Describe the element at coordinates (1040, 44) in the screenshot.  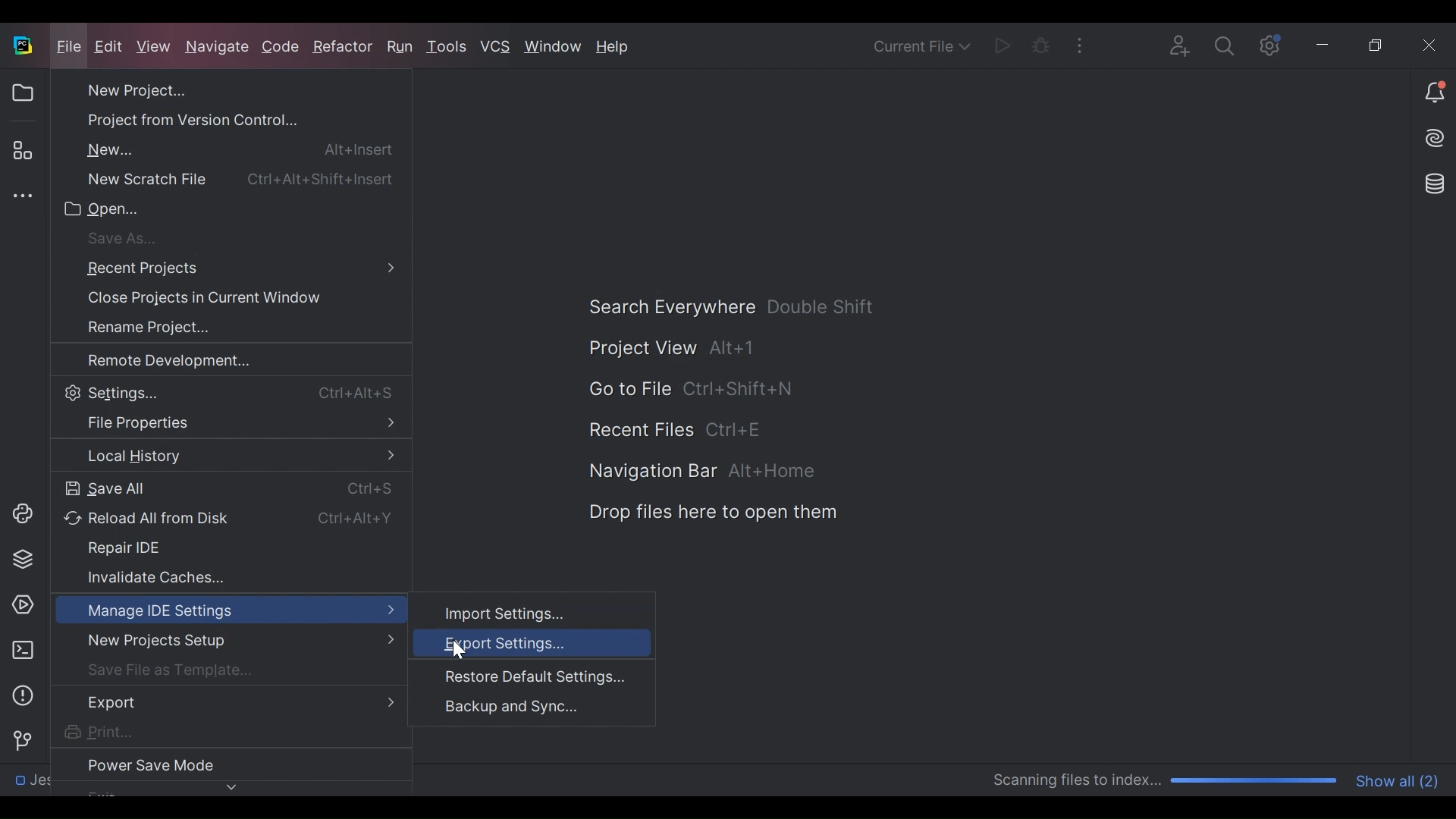
I see `Bug` at that location.